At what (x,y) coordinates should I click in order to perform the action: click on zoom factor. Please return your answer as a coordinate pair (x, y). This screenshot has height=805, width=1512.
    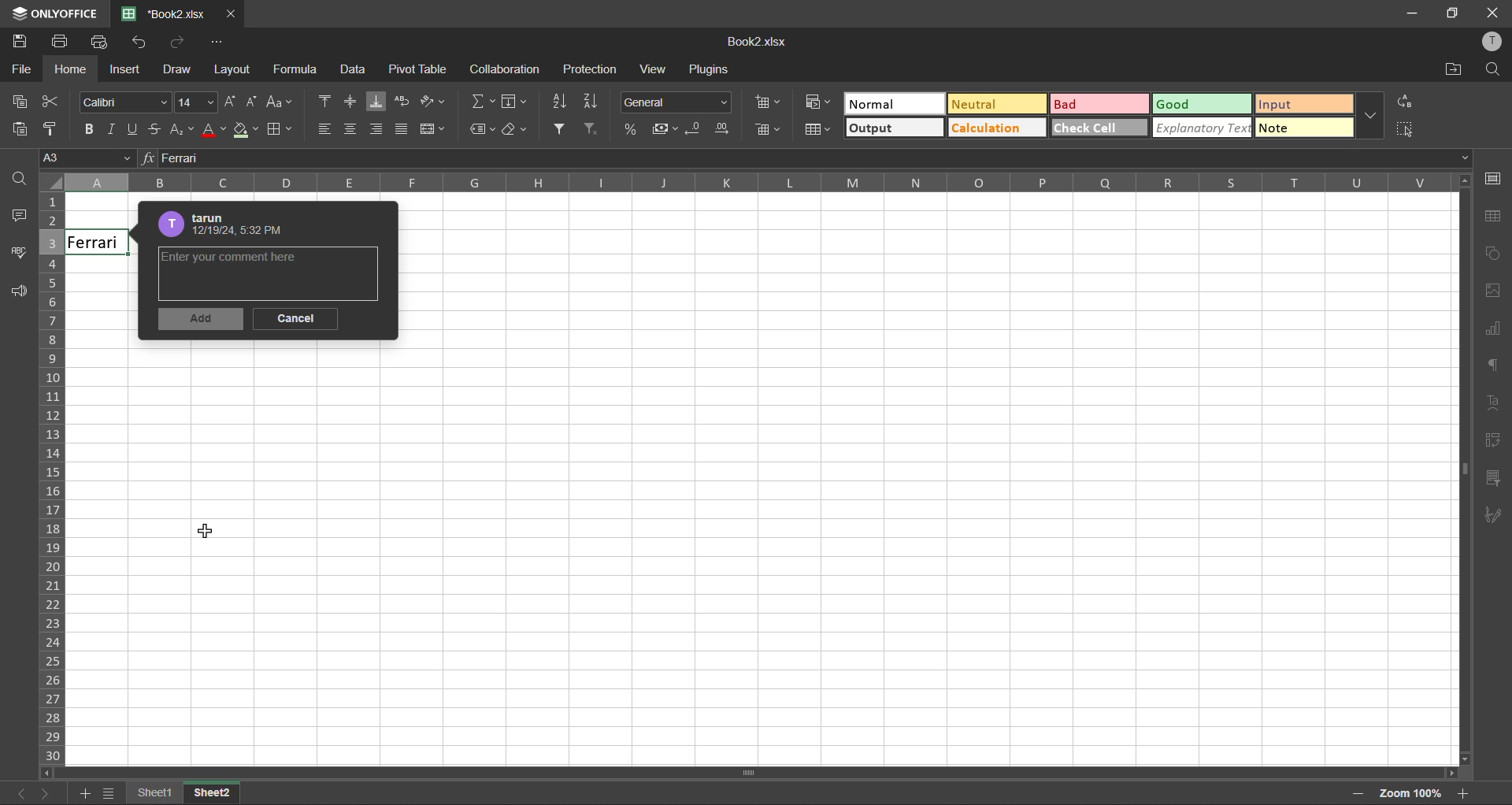
    Looking at the image, I should click on (1406, 792).